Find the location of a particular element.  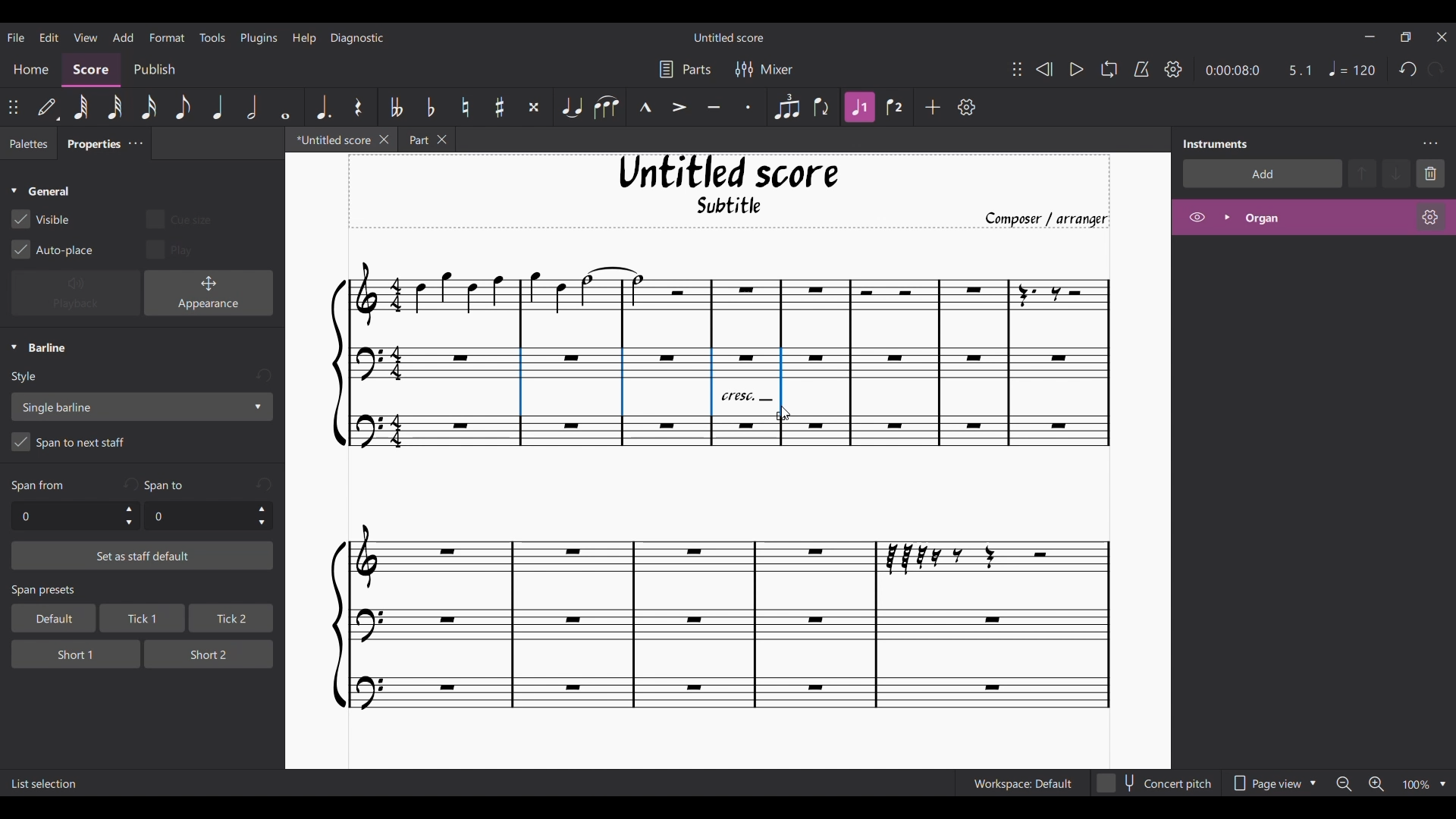

Change position of toolbar attached is located at coordinates (14, 107).